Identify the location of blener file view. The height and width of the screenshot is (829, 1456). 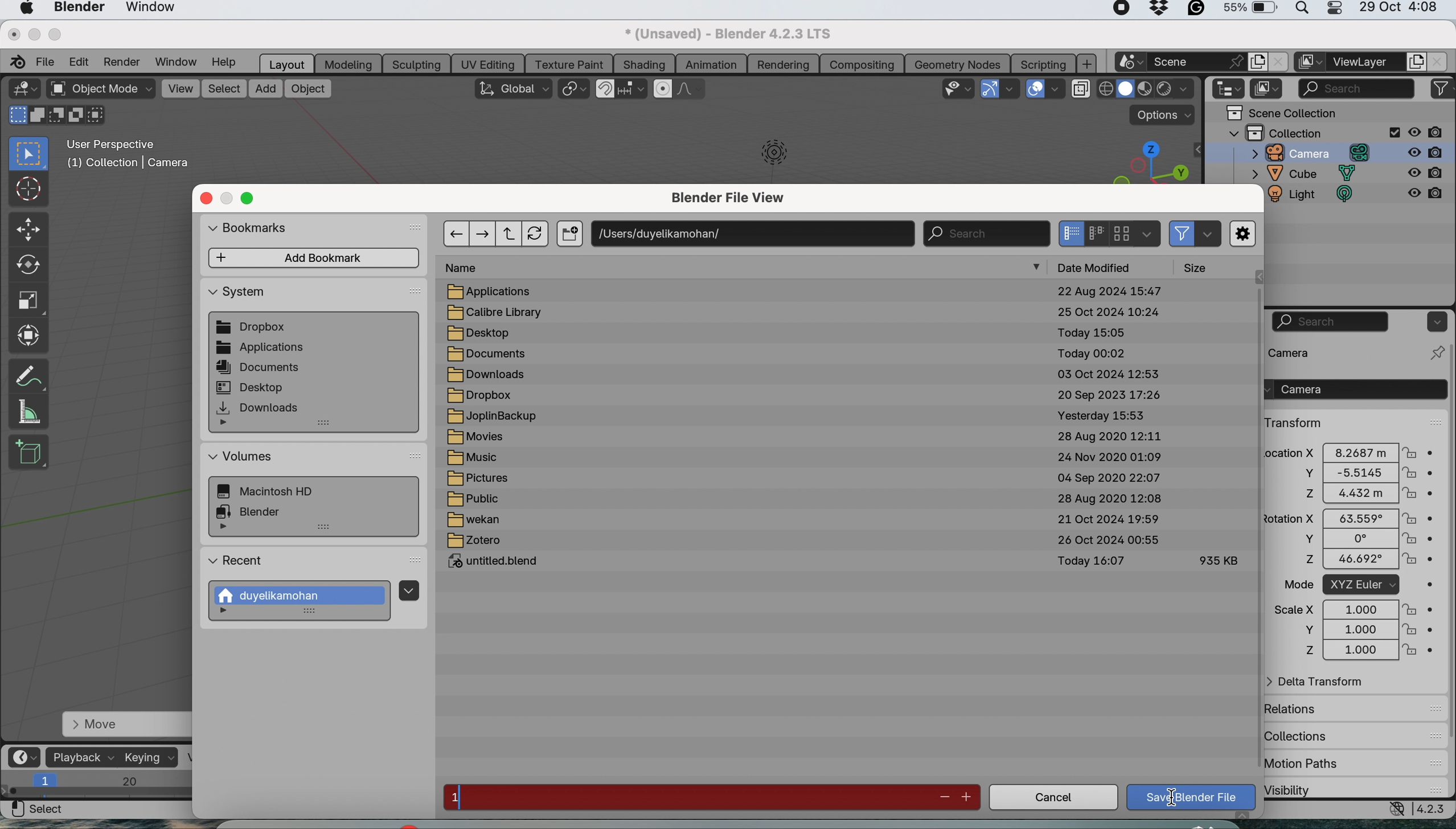
(734, 200).